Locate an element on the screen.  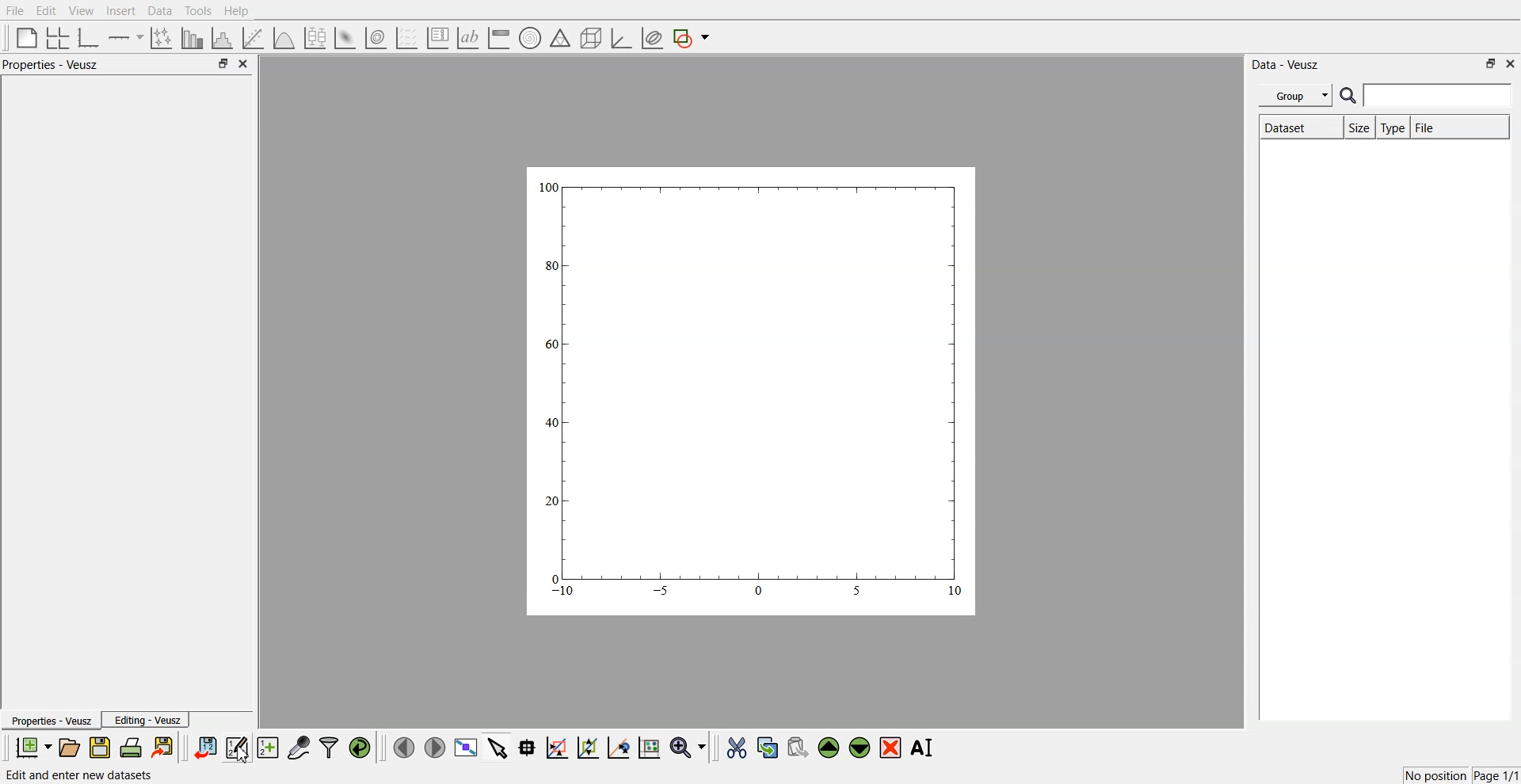
Tools is located at coordinates (196, 10).